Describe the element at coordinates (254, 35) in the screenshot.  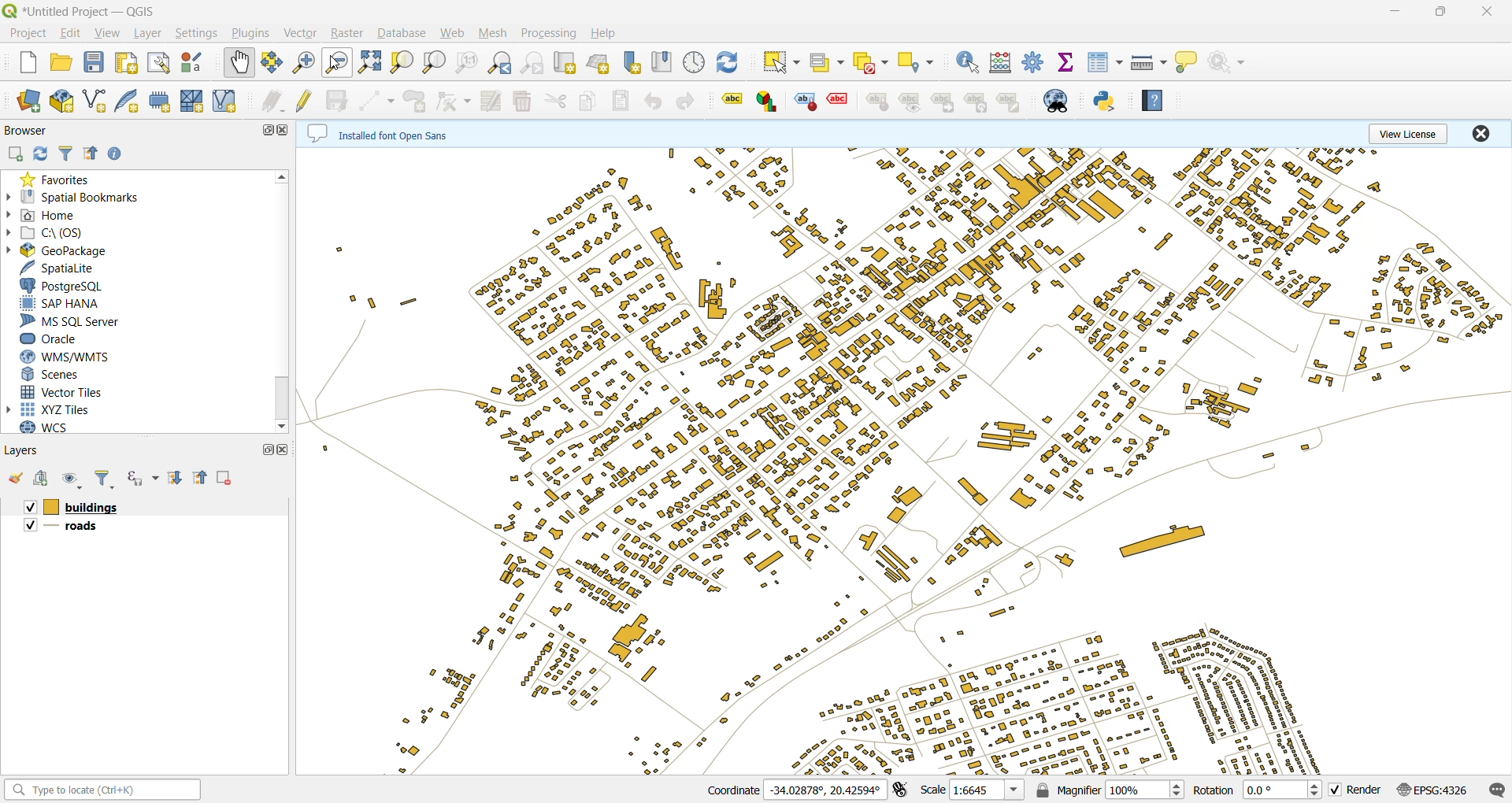
I see `plugins` at that location.